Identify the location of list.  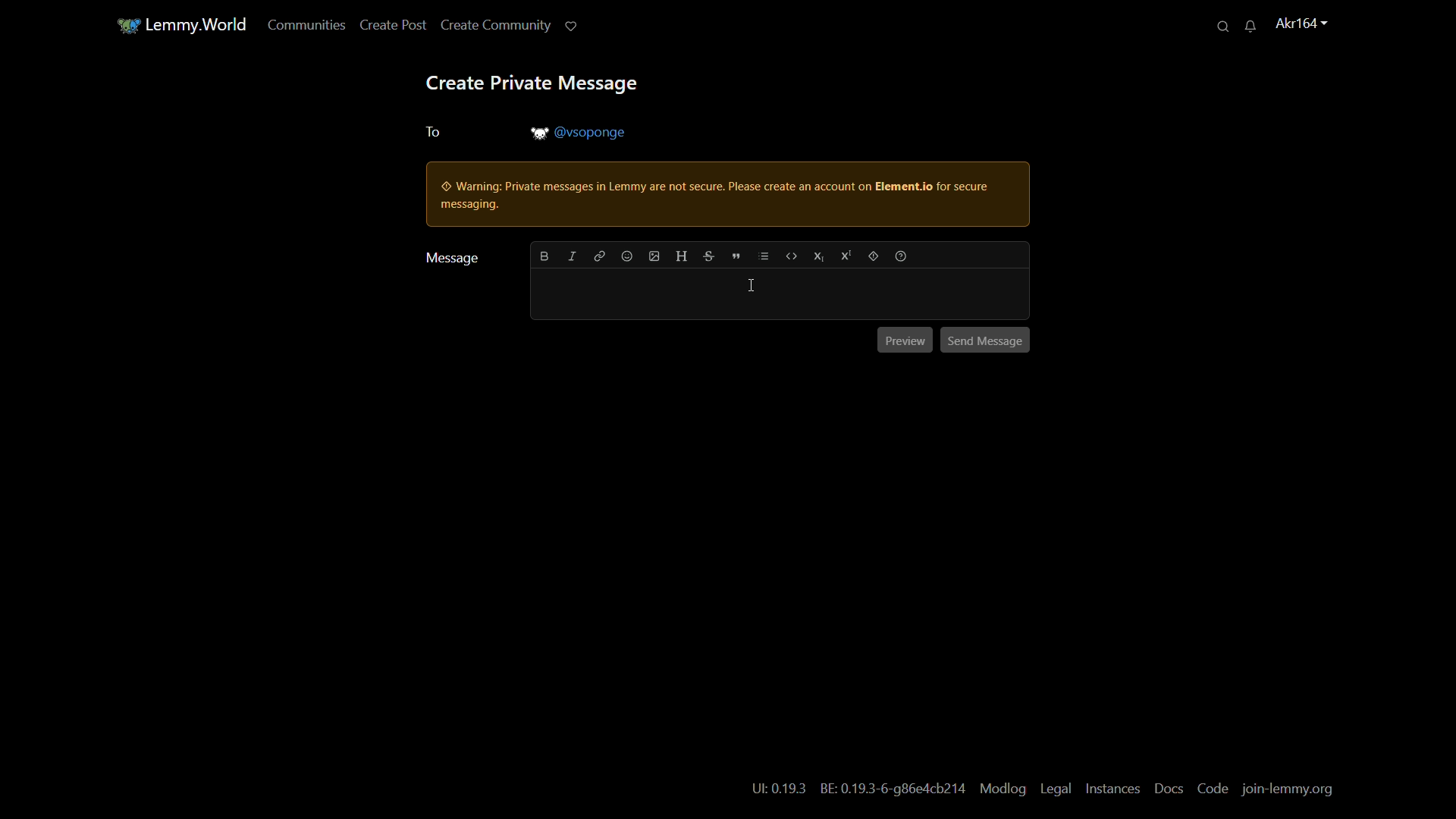
(765, 256).